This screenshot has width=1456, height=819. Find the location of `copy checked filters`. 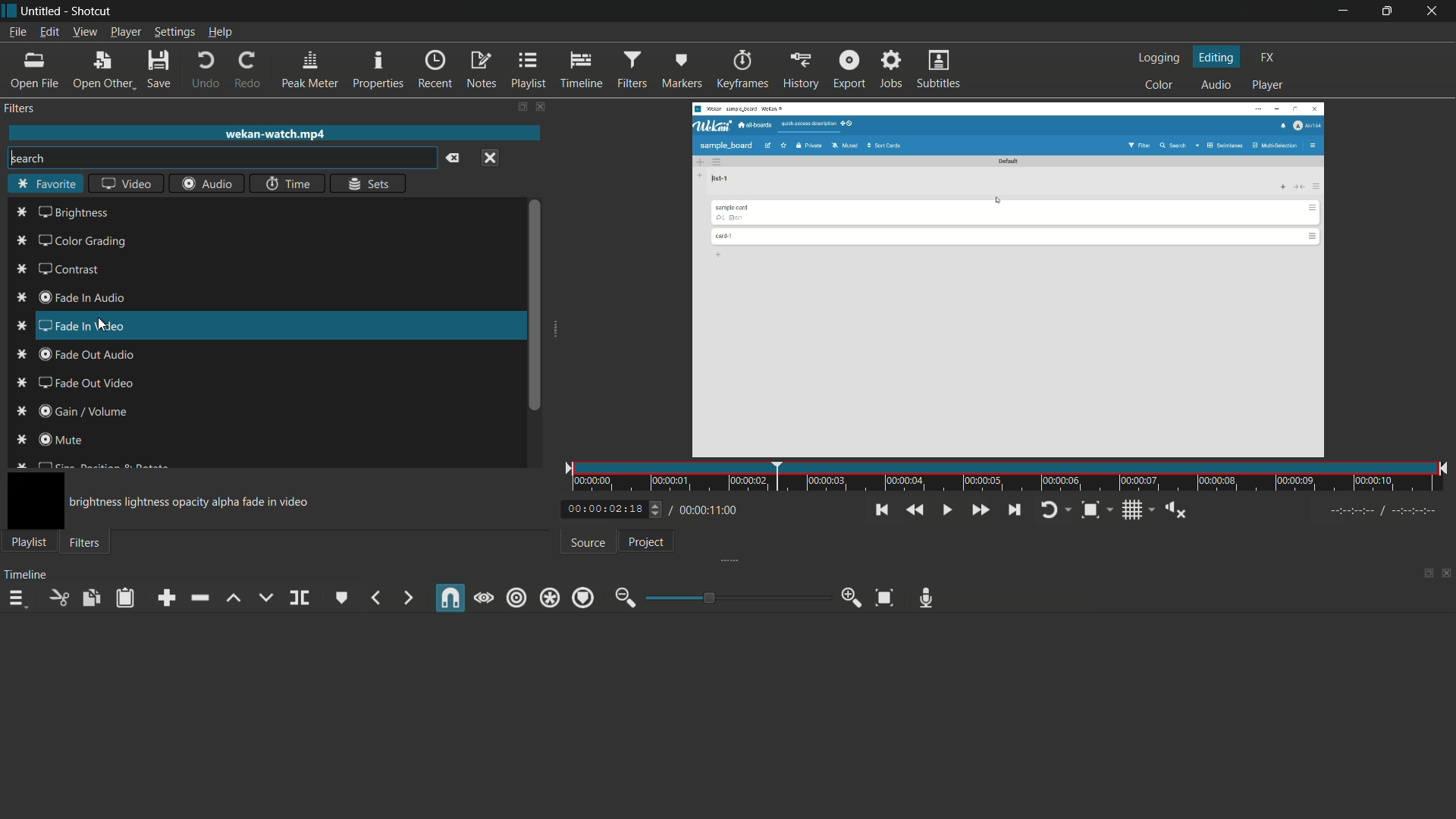

copy checked filters is located at coordinates (90, 598).